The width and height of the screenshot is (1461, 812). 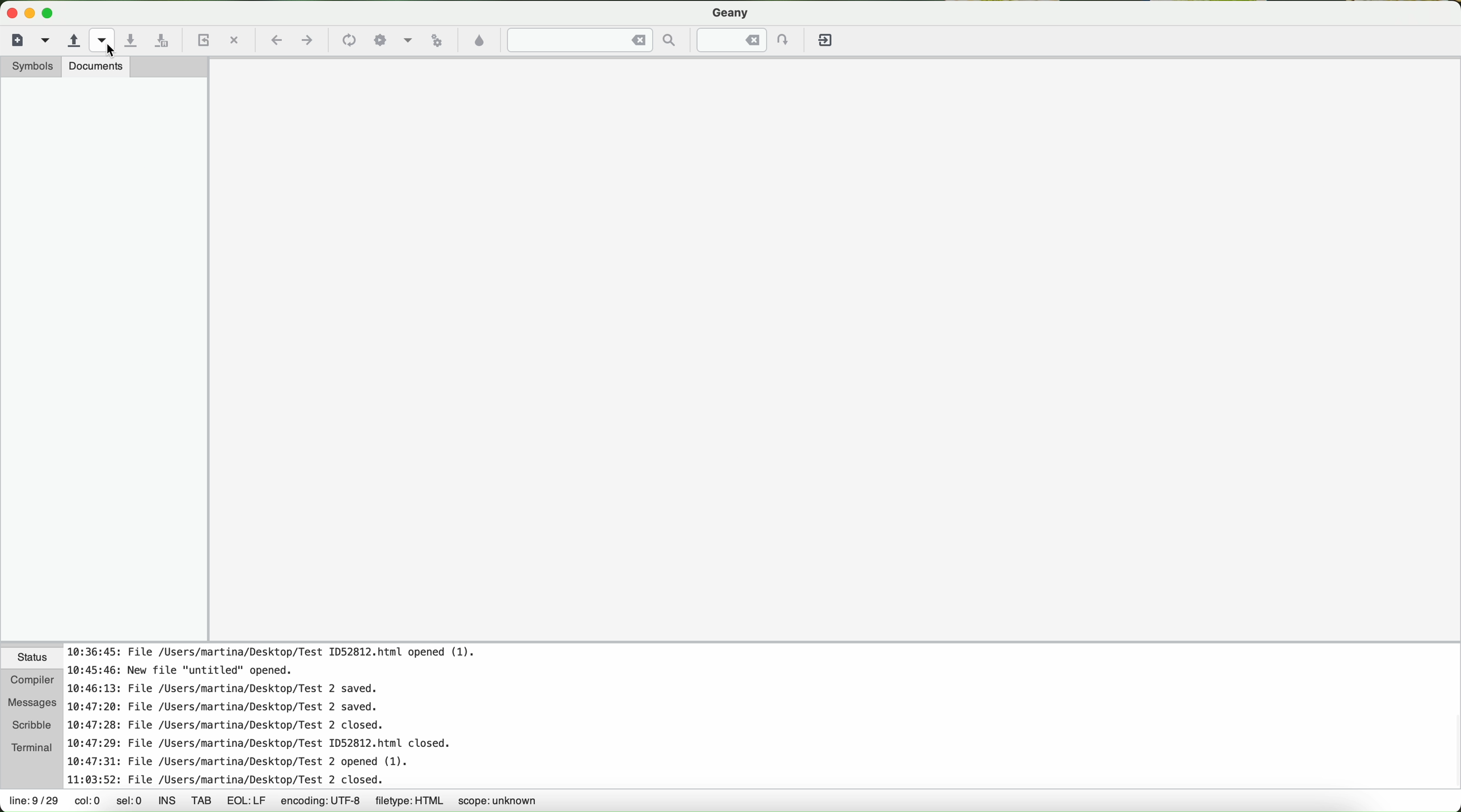 I want to click on save the current file, so click(x=132, y=41).